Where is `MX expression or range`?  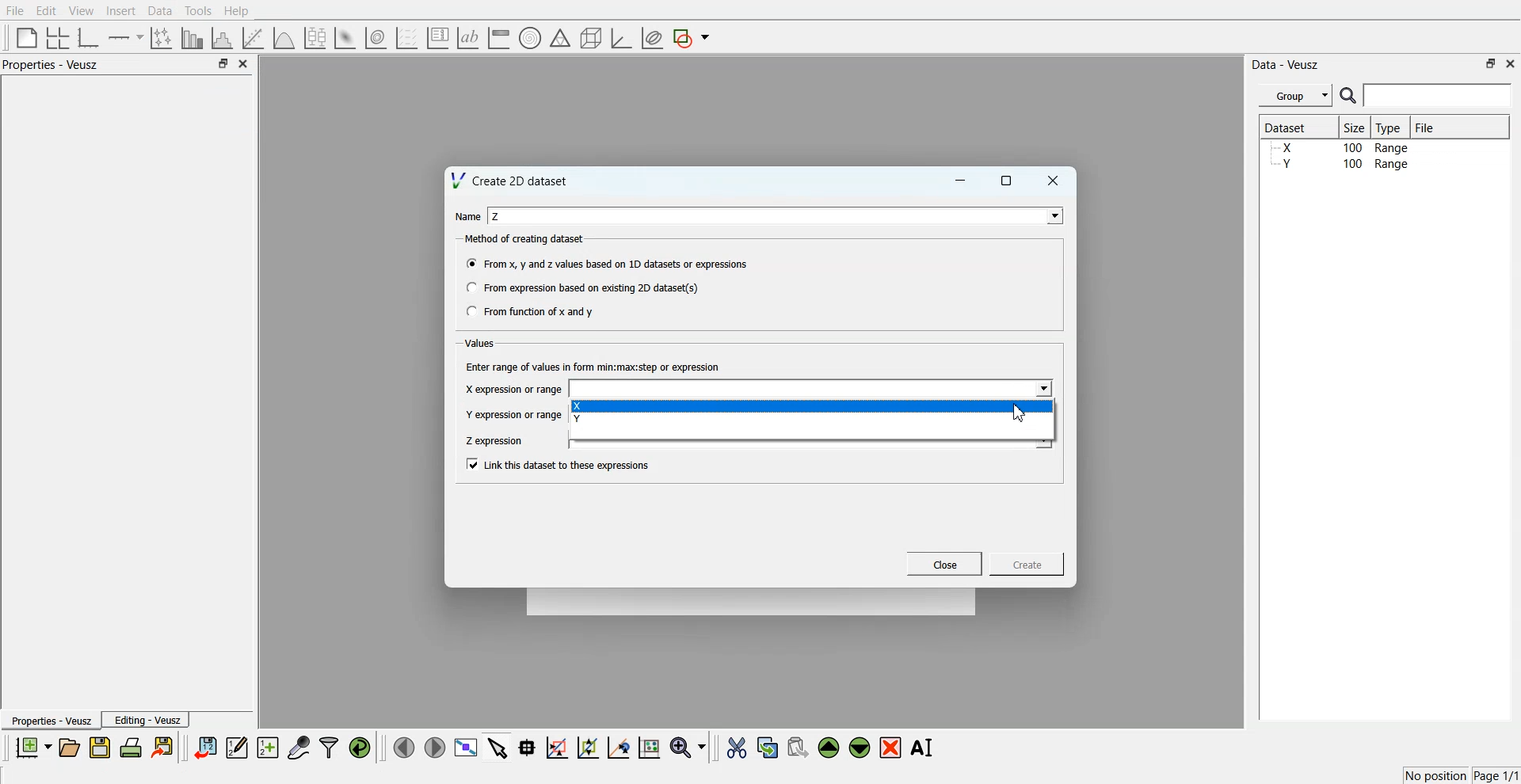
MX expression or range is located at coordinates (513, 389).